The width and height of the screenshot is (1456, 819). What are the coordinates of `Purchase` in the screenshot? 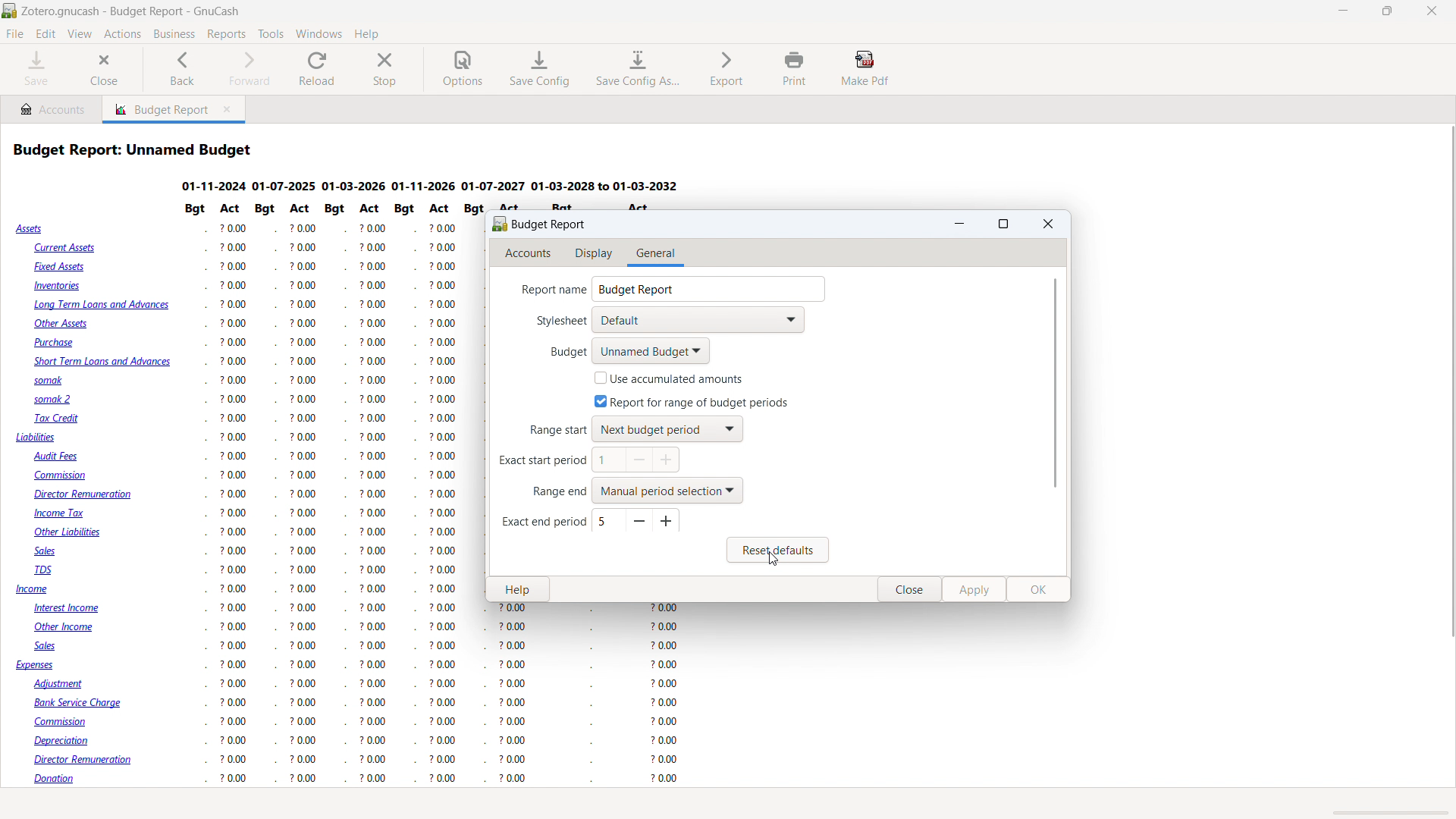 It's located at (58, 342).